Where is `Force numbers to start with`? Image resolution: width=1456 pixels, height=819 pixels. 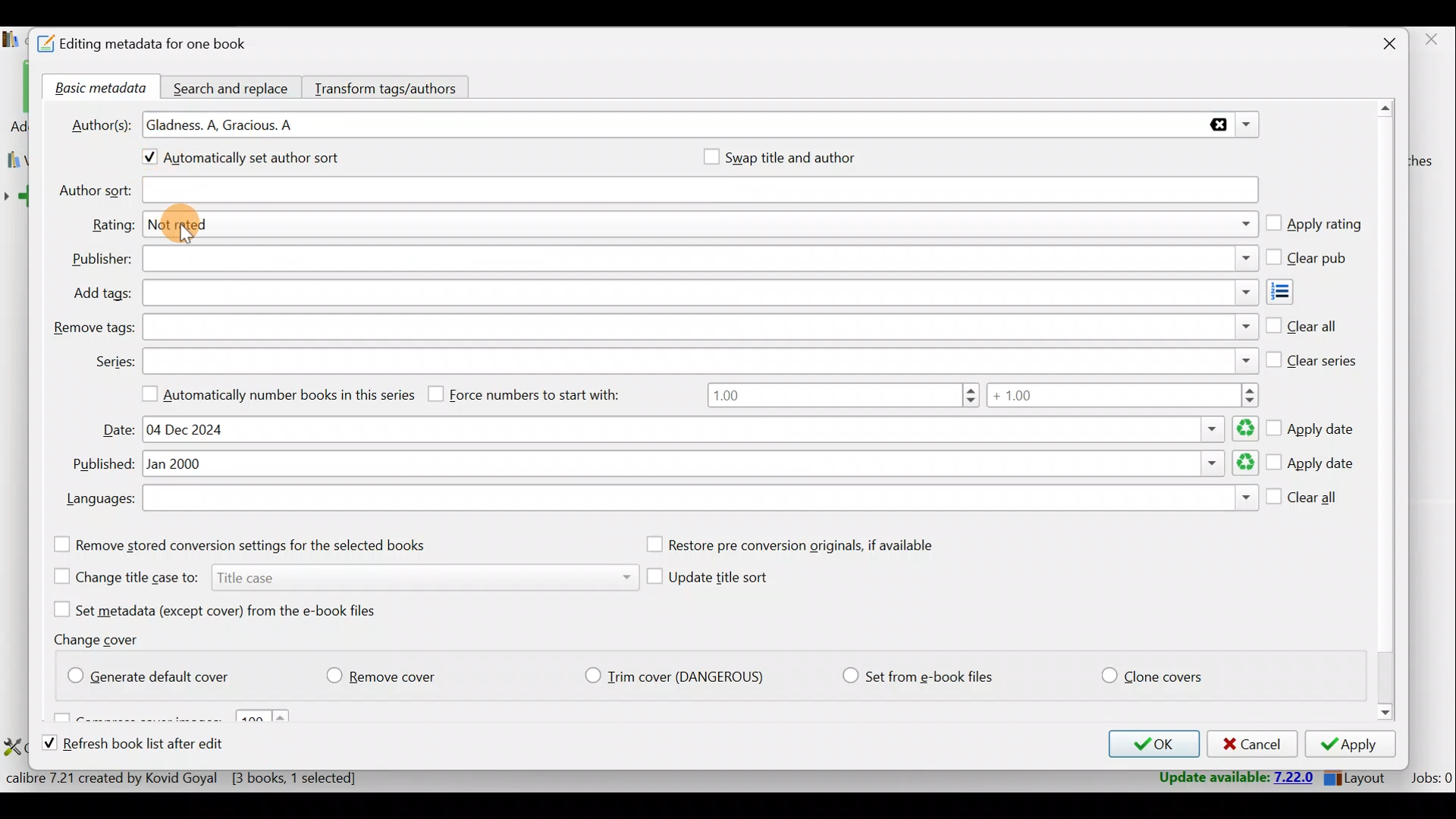
Force numbers to start with is located at coordinates (535, 394).